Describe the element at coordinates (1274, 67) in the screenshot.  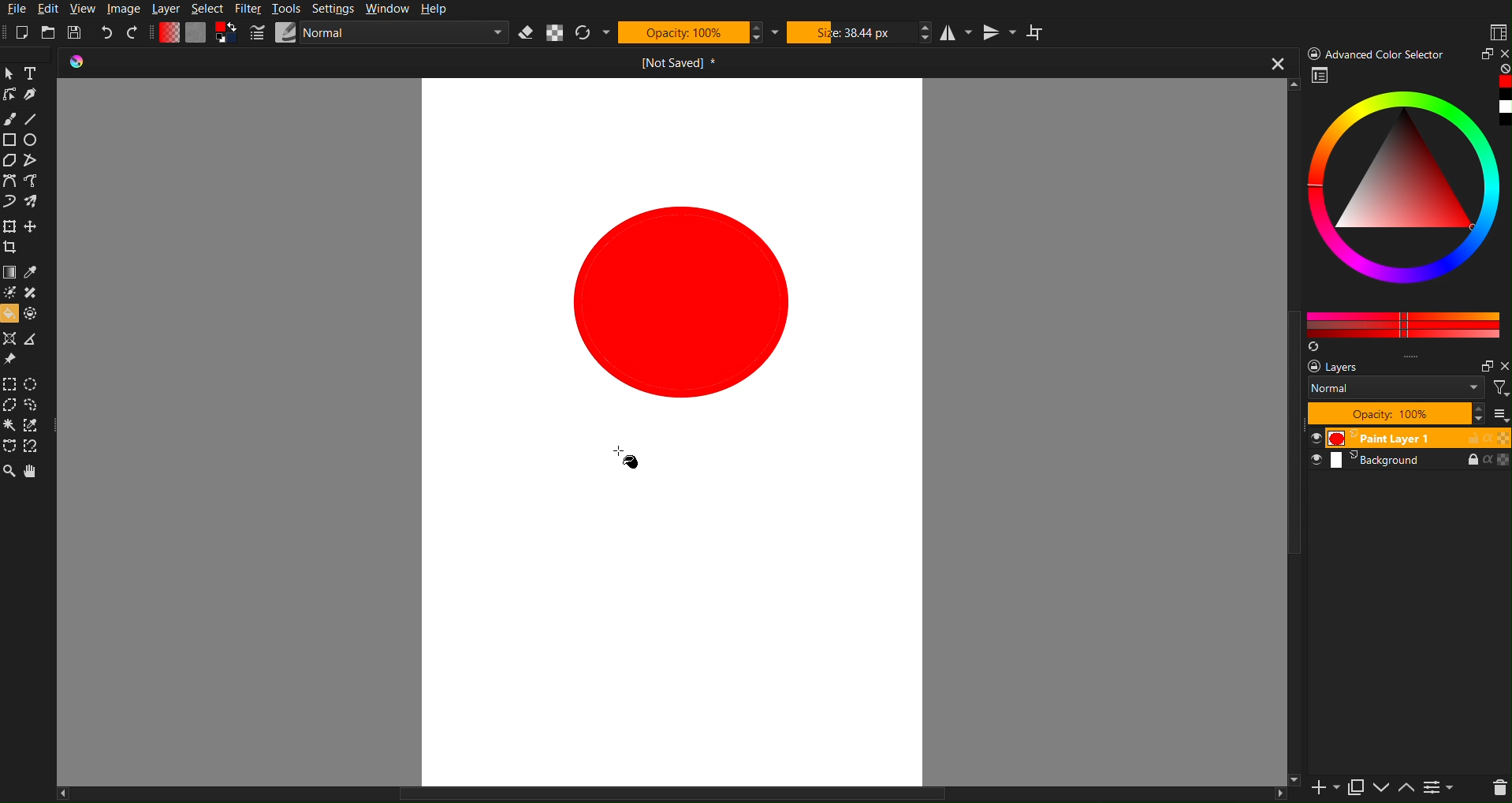
I see `close` at that location.